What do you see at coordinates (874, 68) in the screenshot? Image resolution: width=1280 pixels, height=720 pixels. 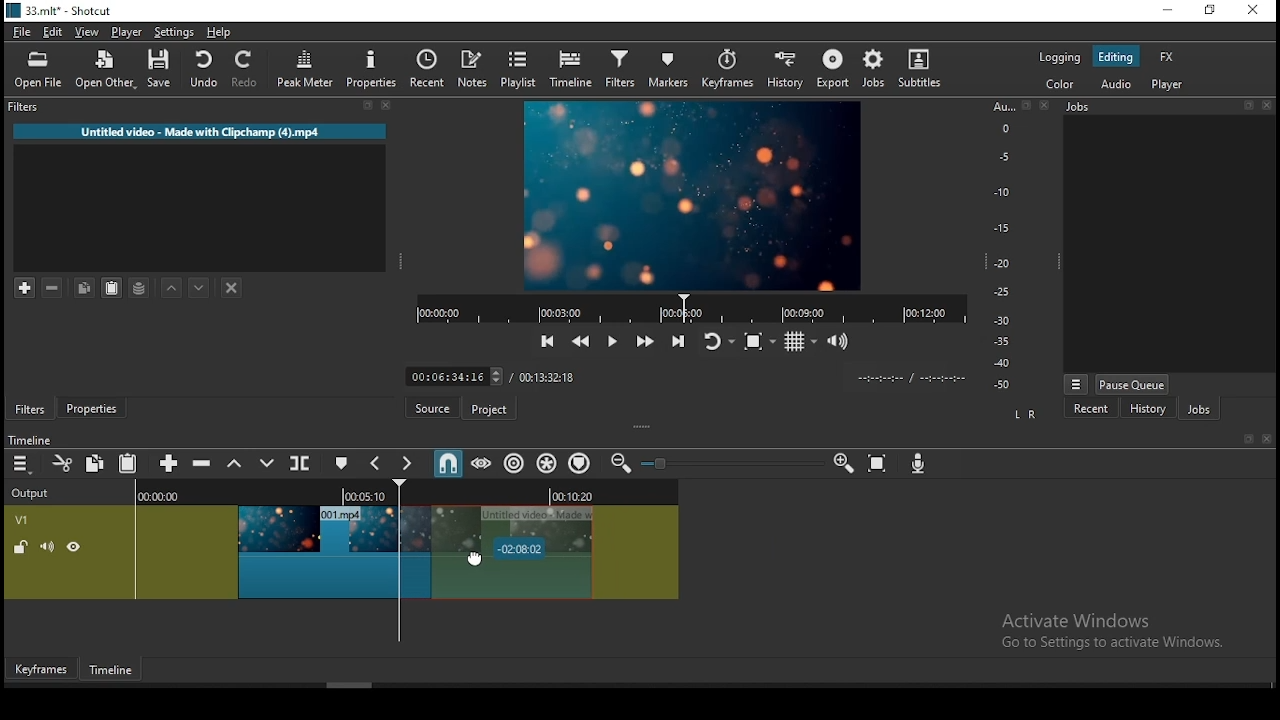 I see `jobs` at bounding box center [874, 68].